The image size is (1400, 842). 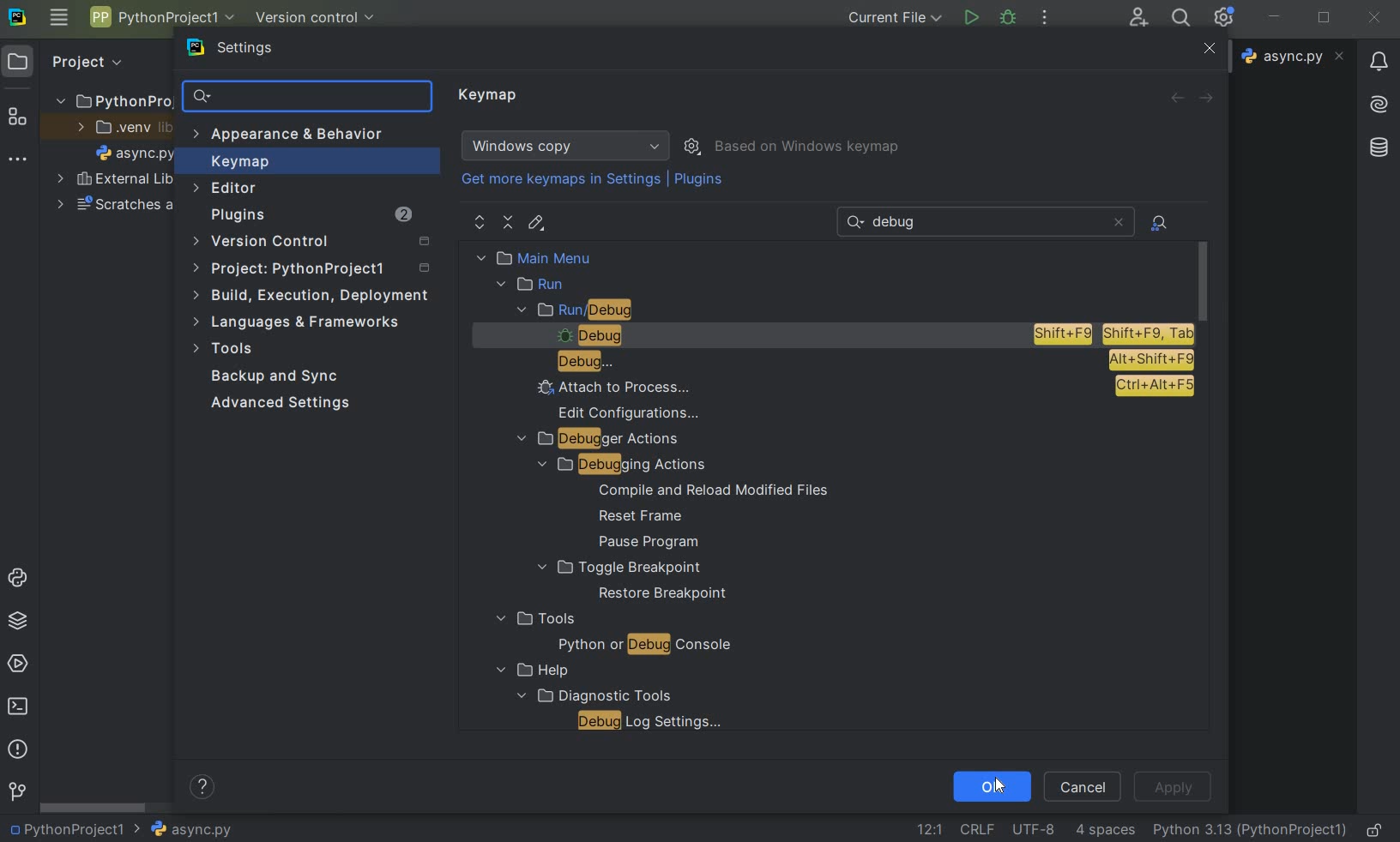 I want to click on Project, so click(x=85, y=60).